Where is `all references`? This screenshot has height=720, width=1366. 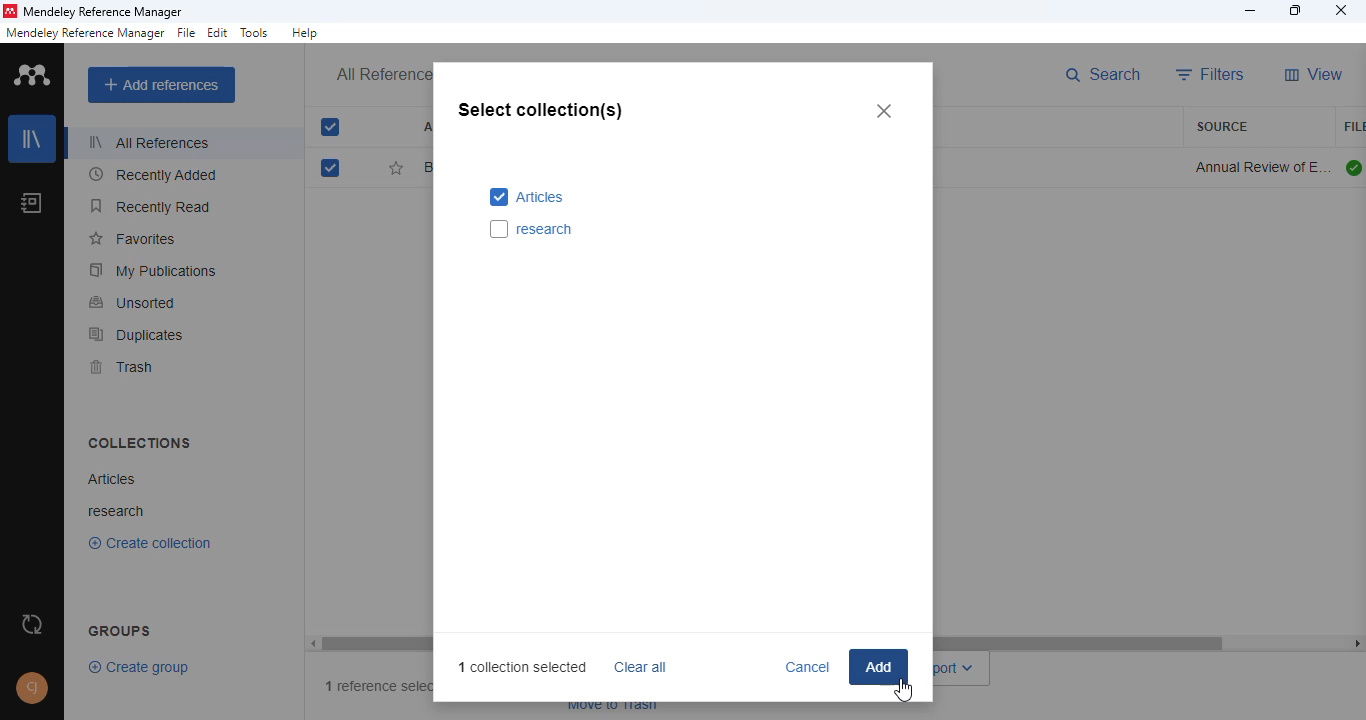 all references is located at coordinates (150, 142).